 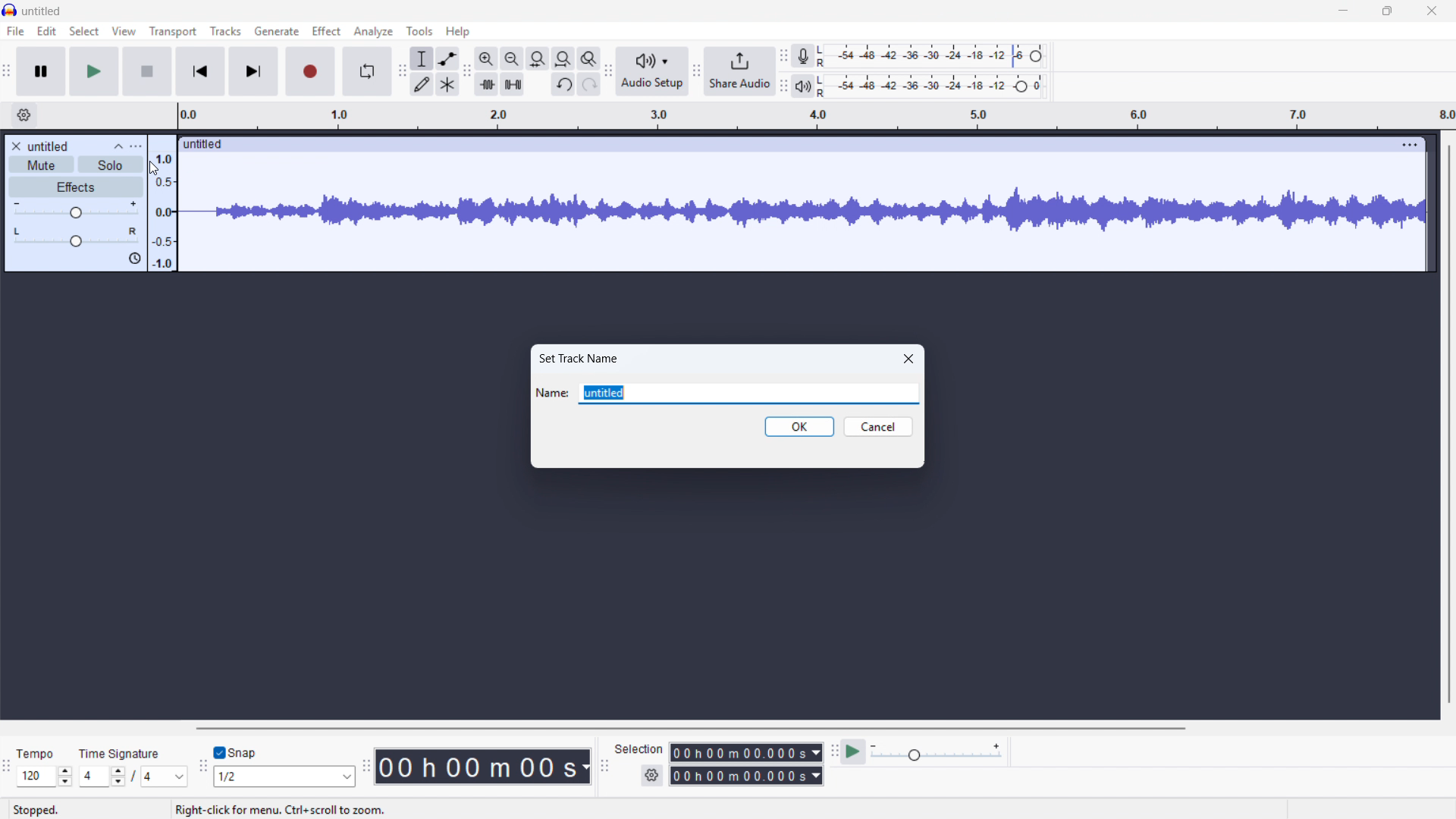 What do you see at coordinates (802, 56) in the screenshot?
I see `Recording metre ` at bounding box center [802, 56].